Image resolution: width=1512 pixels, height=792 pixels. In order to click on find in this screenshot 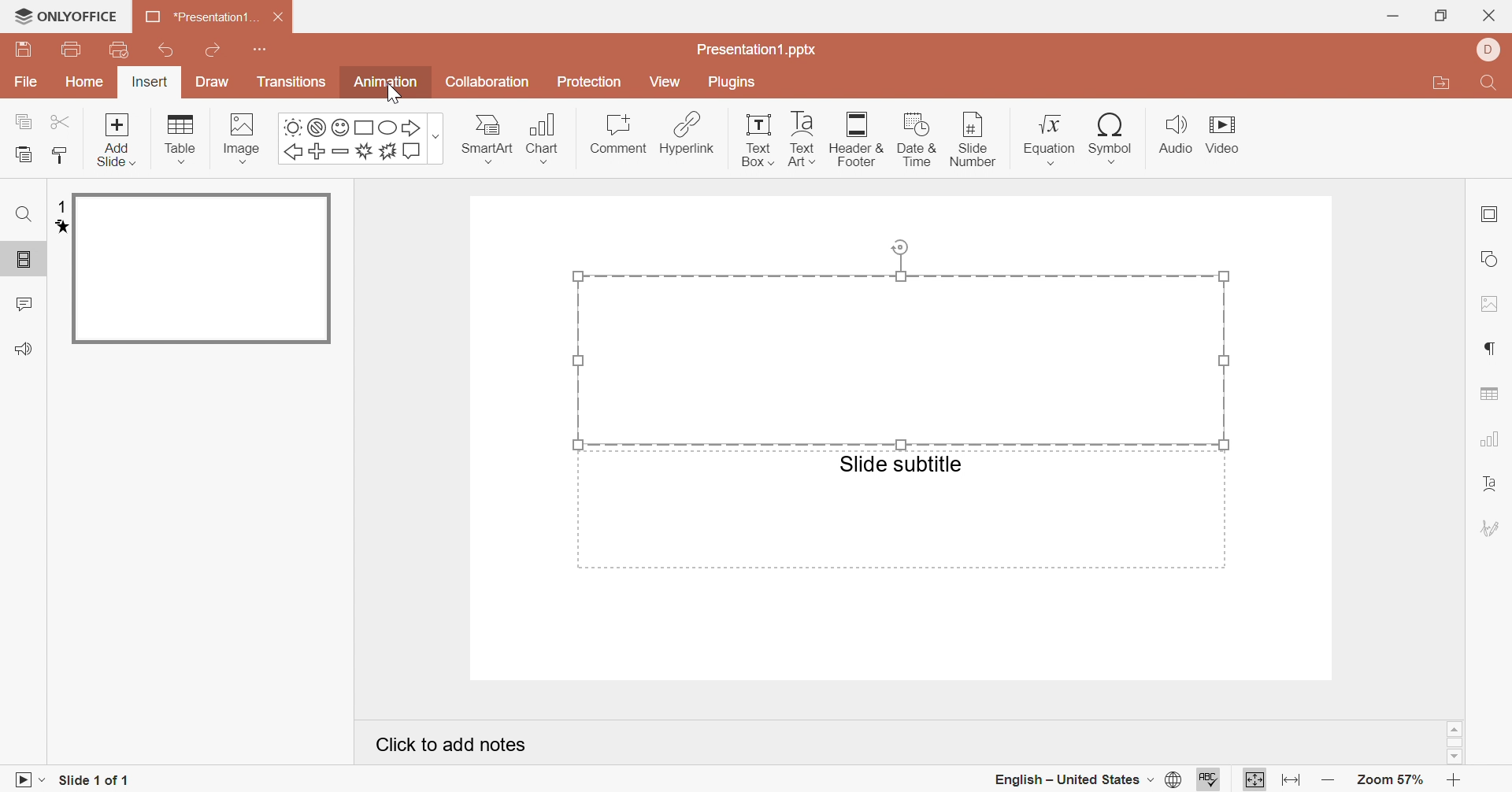, I will do `click(1492, 83)`.